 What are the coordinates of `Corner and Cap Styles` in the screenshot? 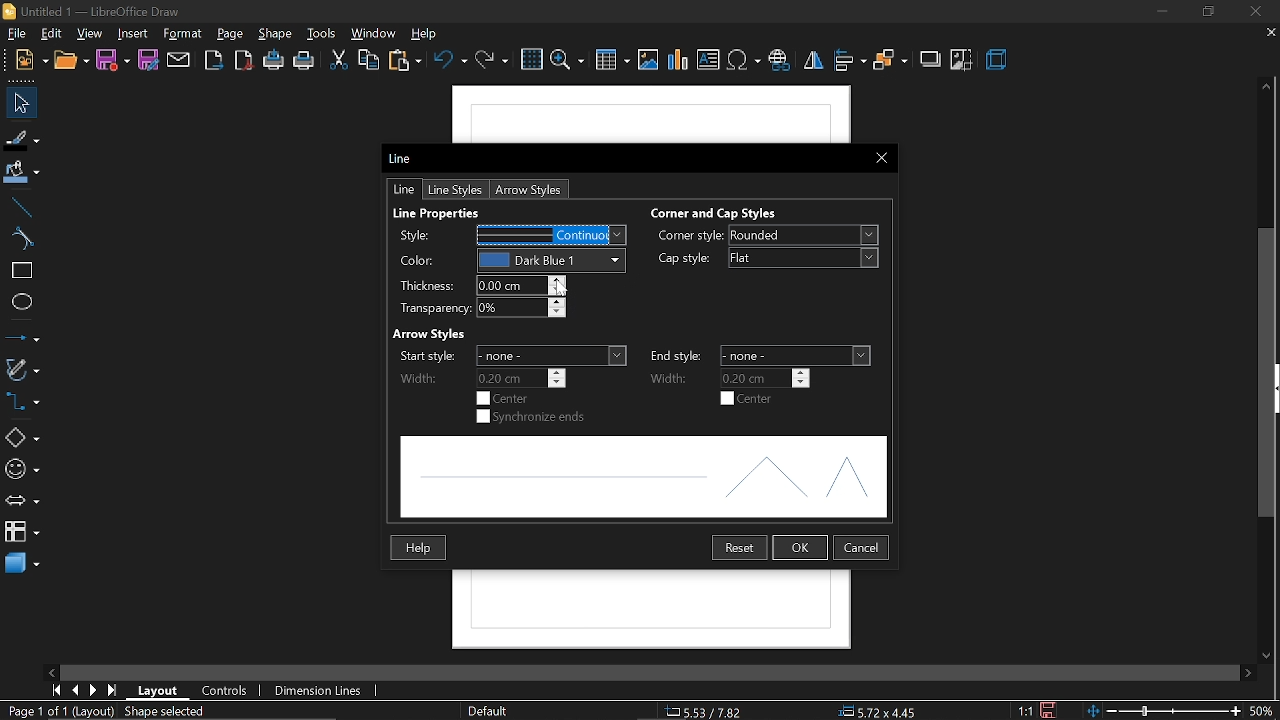 It's located at (715, 213).